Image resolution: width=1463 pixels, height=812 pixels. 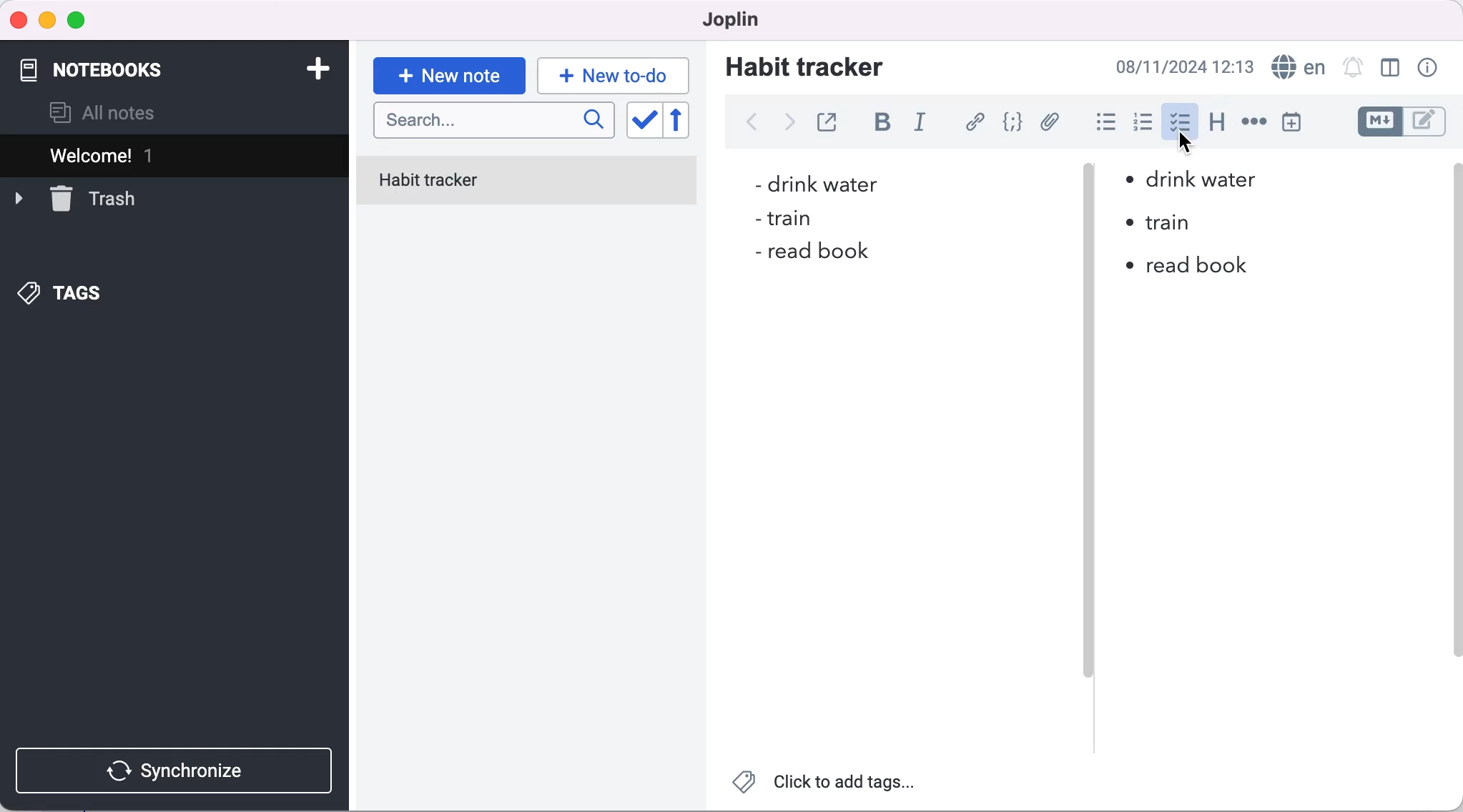 I want to click on checkbox, so click(x=1181, y=117).